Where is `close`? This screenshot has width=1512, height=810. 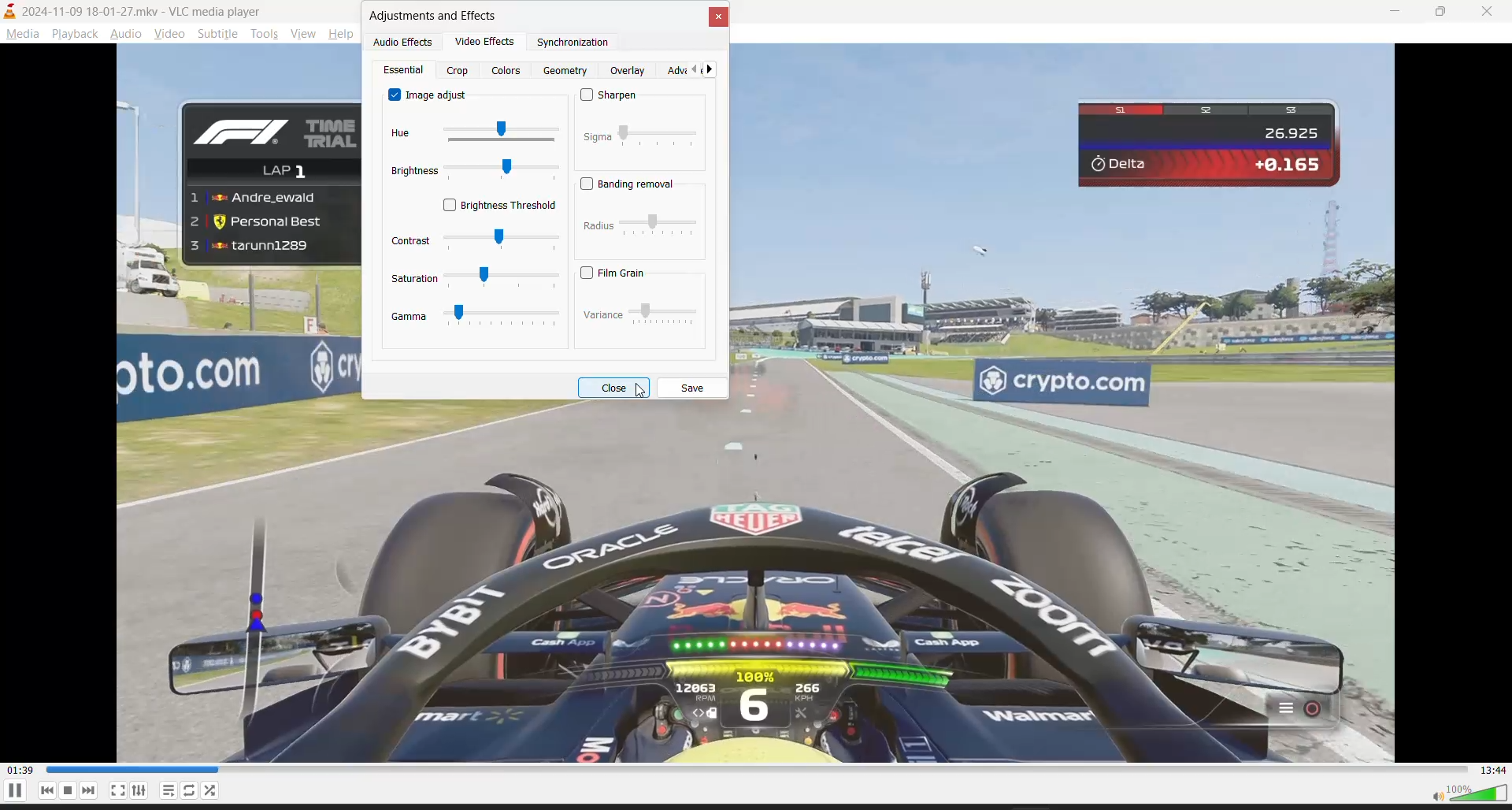 close is located at coordinates (612, 387).